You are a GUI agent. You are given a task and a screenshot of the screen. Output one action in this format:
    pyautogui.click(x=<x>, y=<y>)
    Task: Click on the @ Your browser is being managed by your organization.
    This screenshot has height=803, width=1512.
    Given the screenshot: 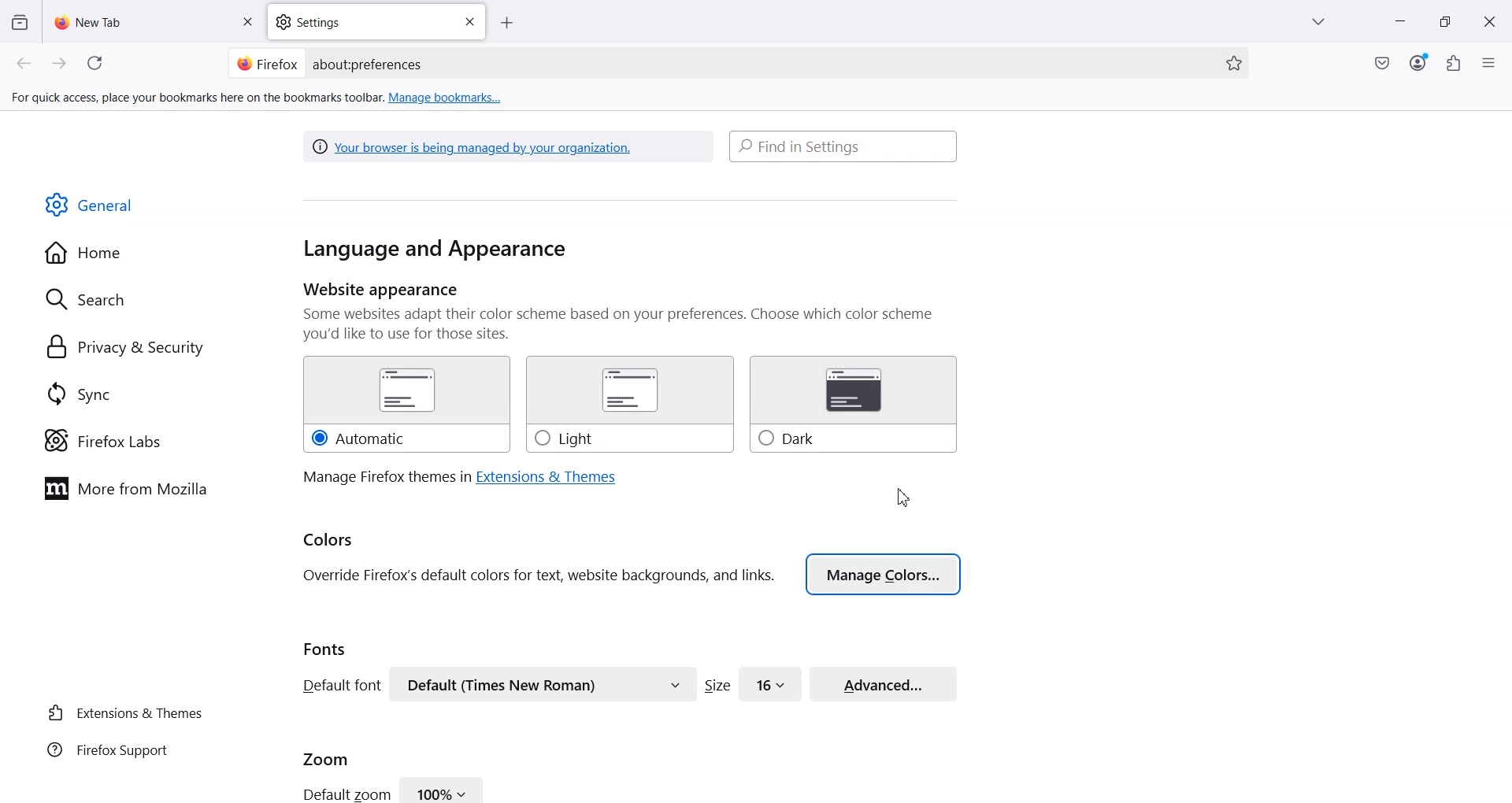 What is the action you would take?
    pyautogui.click(x=476, y=146)
    